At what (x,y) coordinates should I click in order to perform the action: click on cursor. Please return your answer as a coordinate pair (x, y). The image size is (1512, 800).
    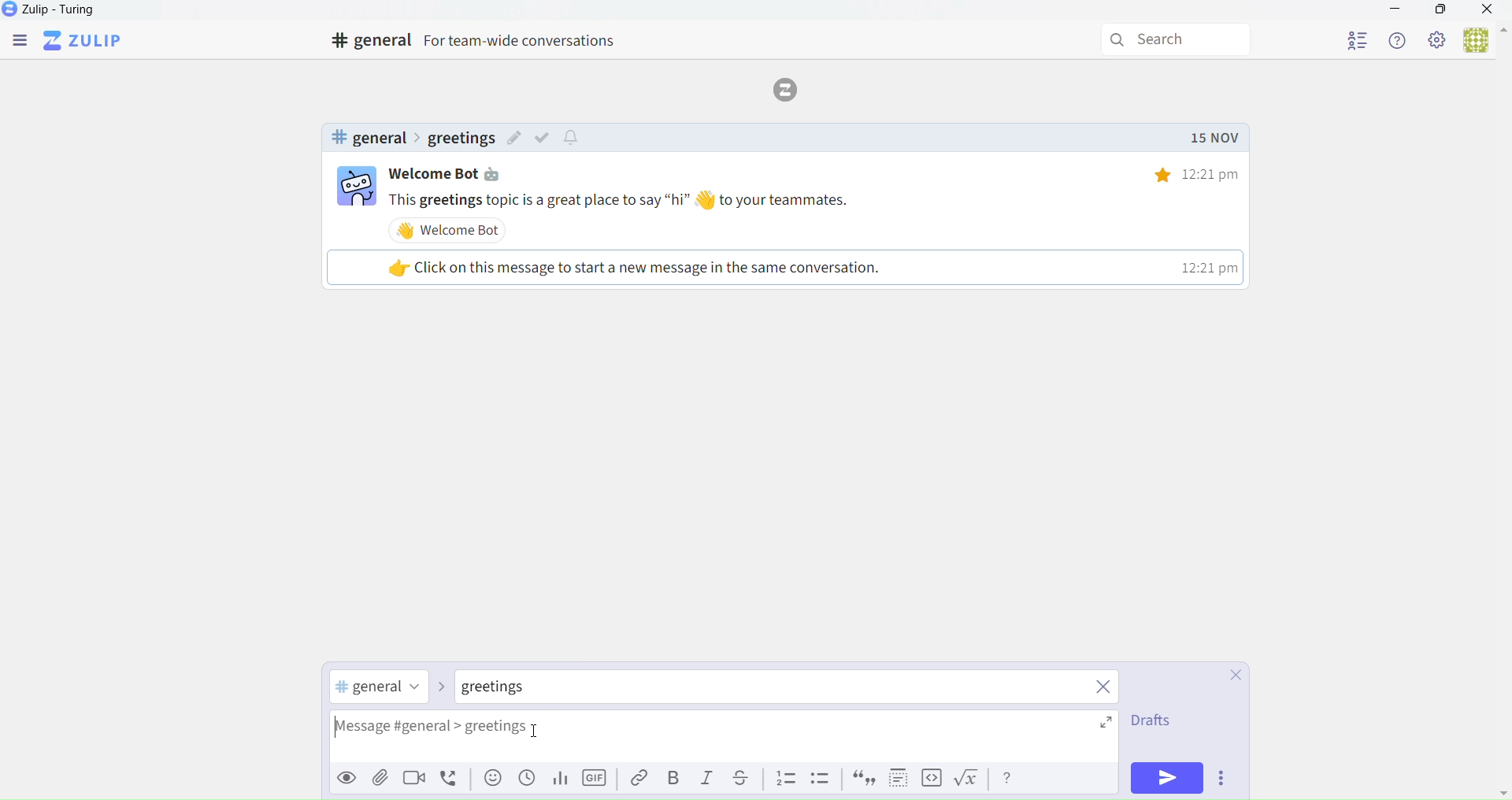
    Looking at the image, I should click on (538, 731).